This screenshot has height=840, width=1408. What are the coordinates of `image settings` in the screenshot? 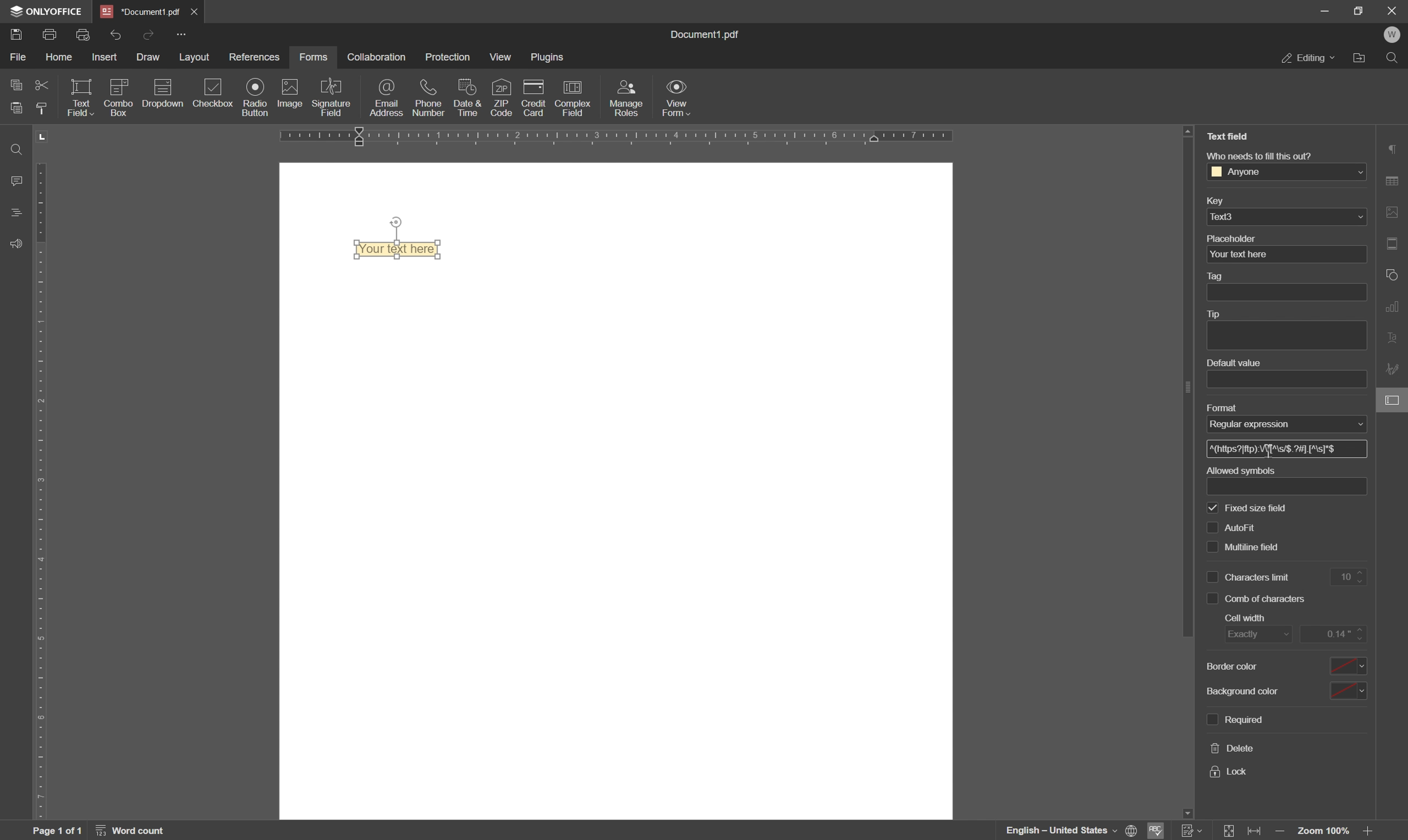 It's located at (1395, 212).